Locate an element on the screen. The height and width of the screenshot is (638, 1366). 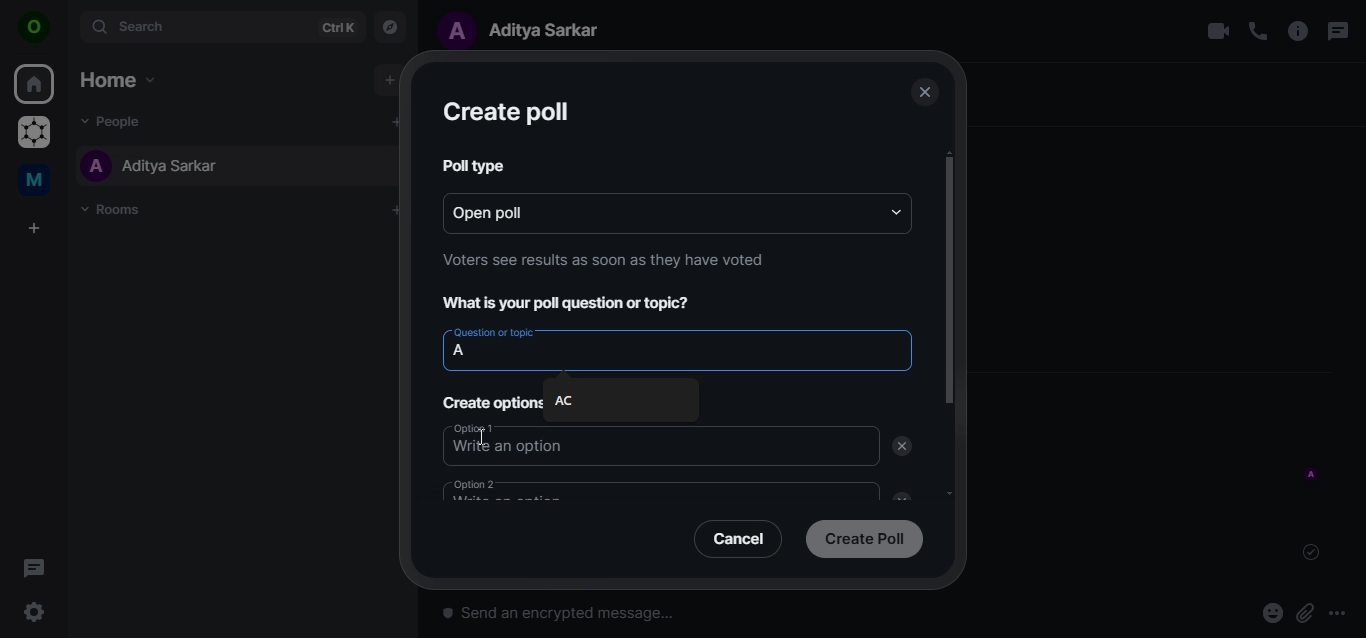
send an encrypted message is located at coordinates (669, 619).